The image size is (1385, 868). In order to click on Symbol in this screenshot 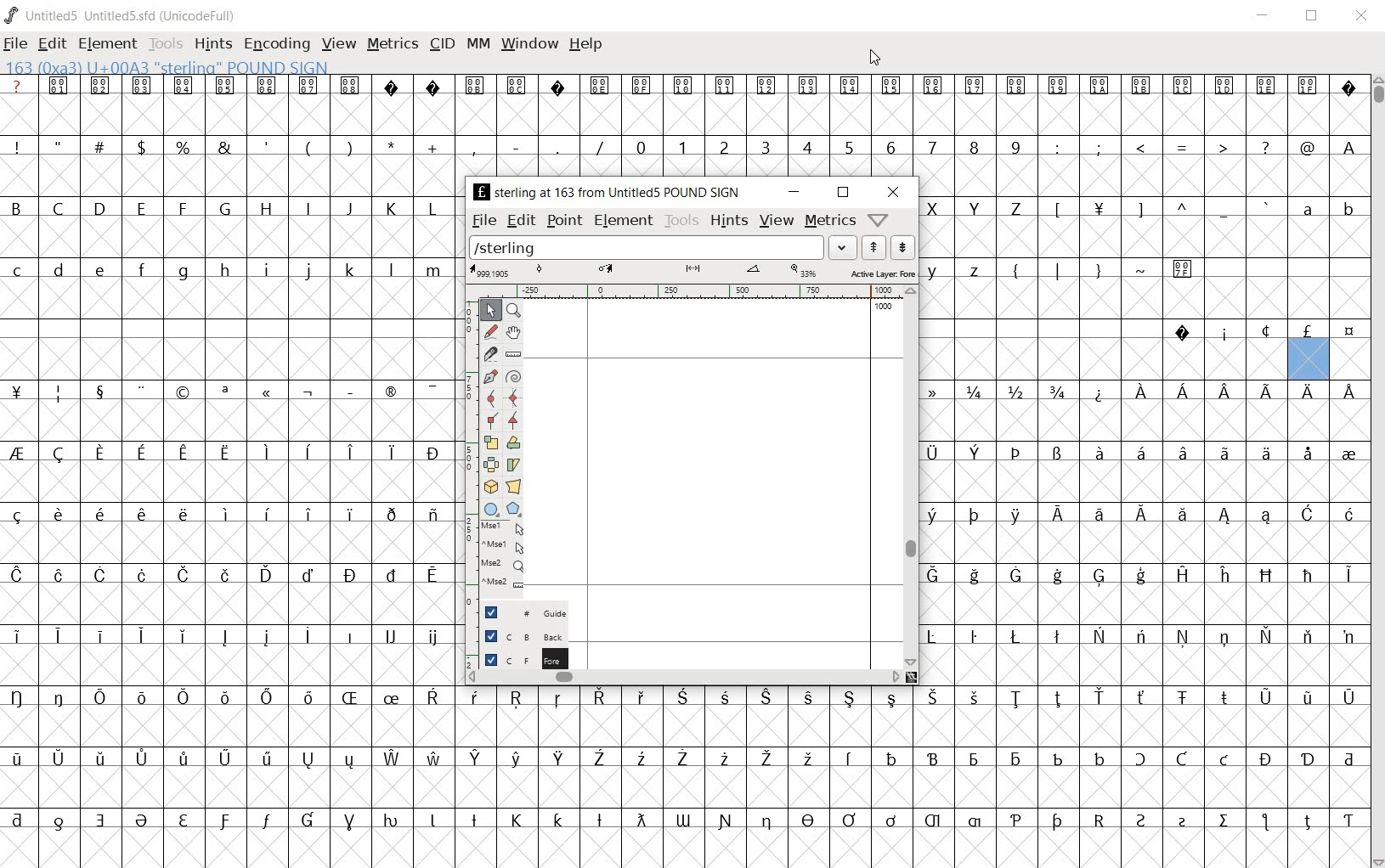, I will do `click(1348, 697)`.